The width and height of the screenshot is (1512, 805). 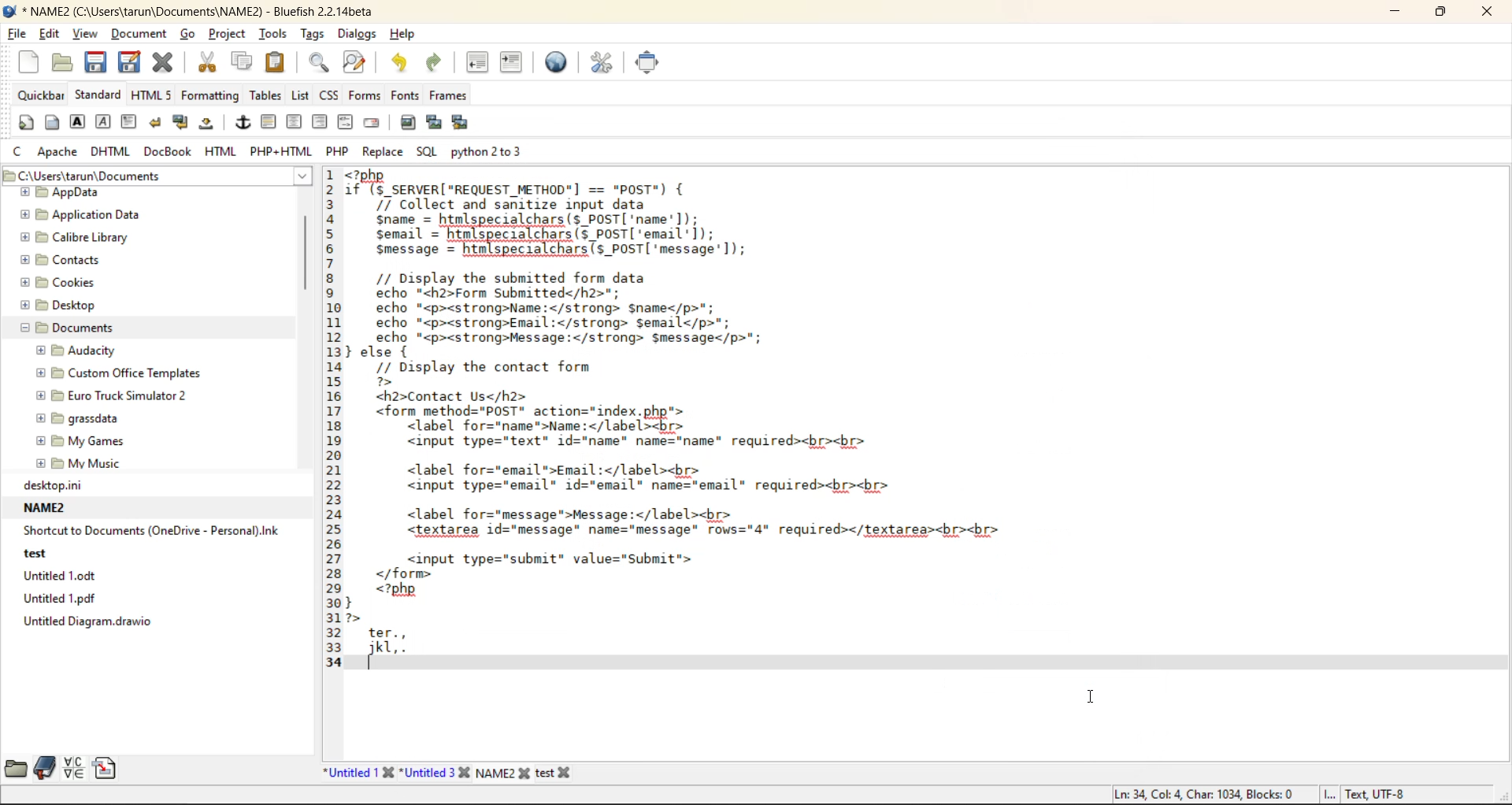 I want to click on edit, so click(x=51, y=35).